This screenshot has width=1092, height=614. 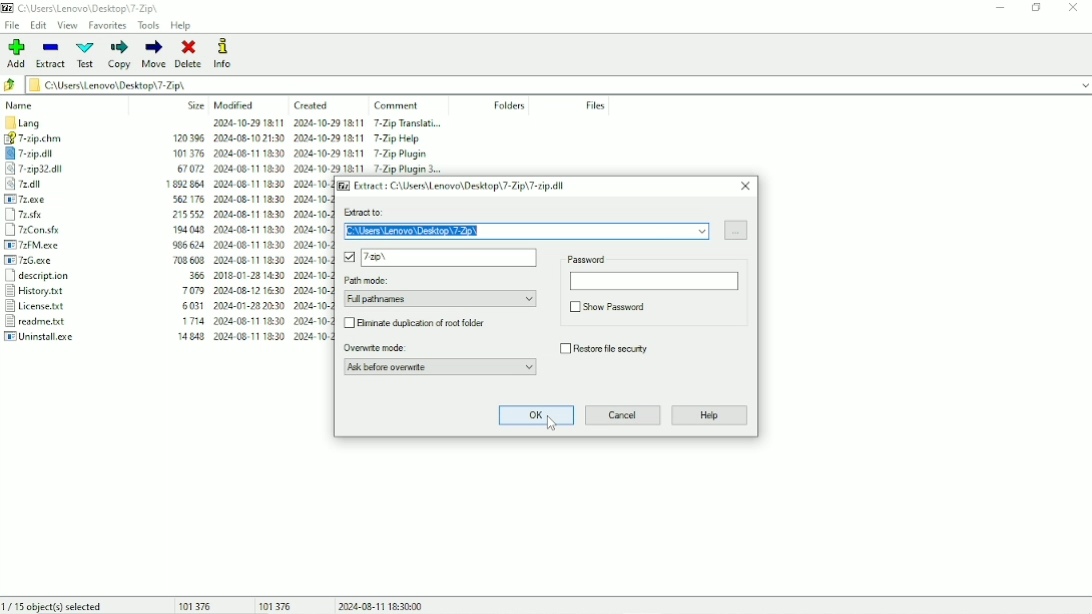 I want to click on Folders, so click(x=508, y=106).